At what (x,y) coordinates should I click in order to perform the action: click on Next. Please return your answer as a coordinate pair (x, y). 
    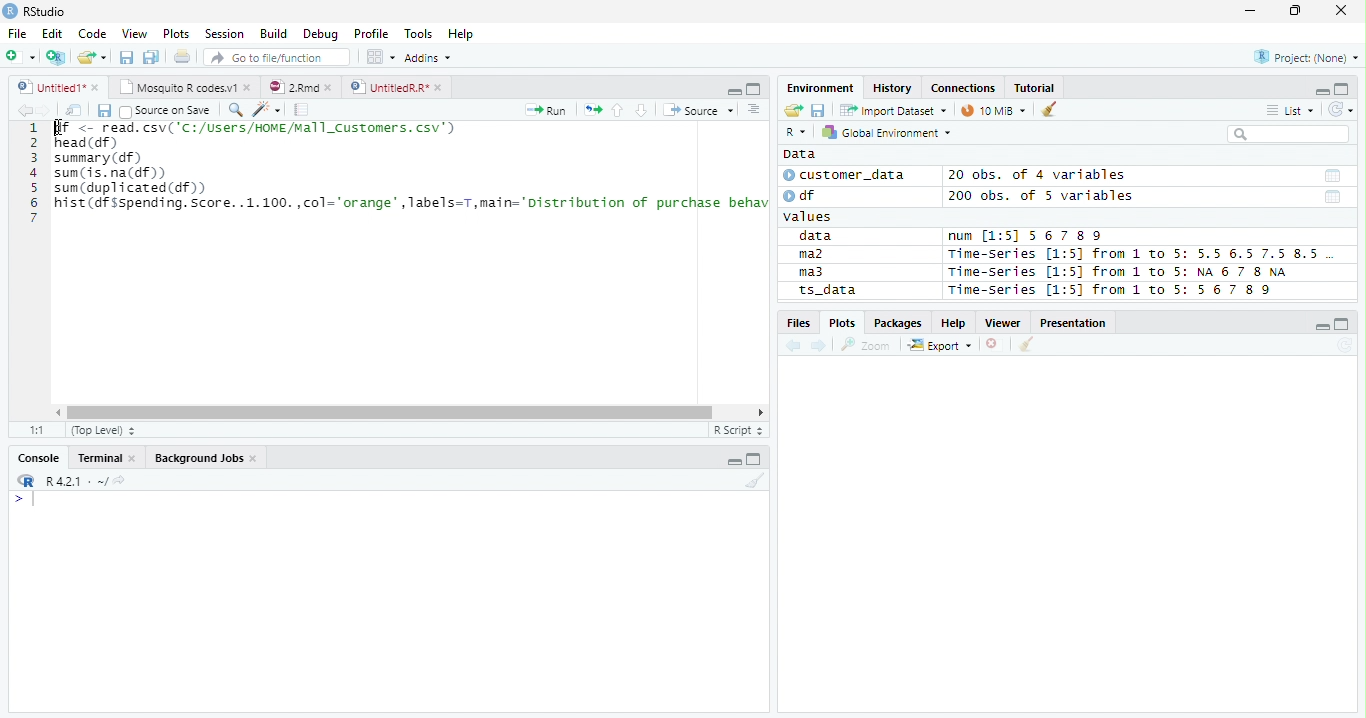
    Looking at the image, I should click on (820, 347).